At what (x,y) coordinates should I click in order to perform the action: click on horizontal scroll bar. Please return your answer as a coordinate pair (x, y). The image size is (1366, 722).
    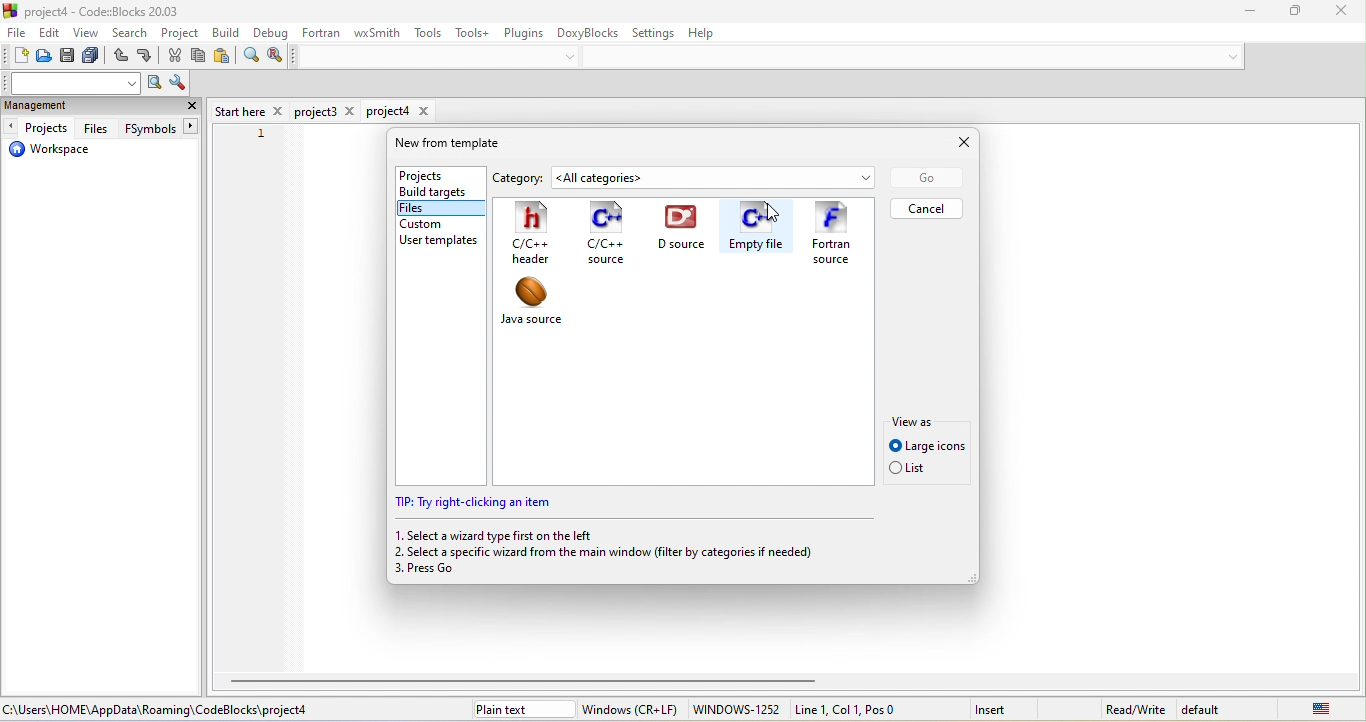
    Looking at the image, I should click on (529, 680).